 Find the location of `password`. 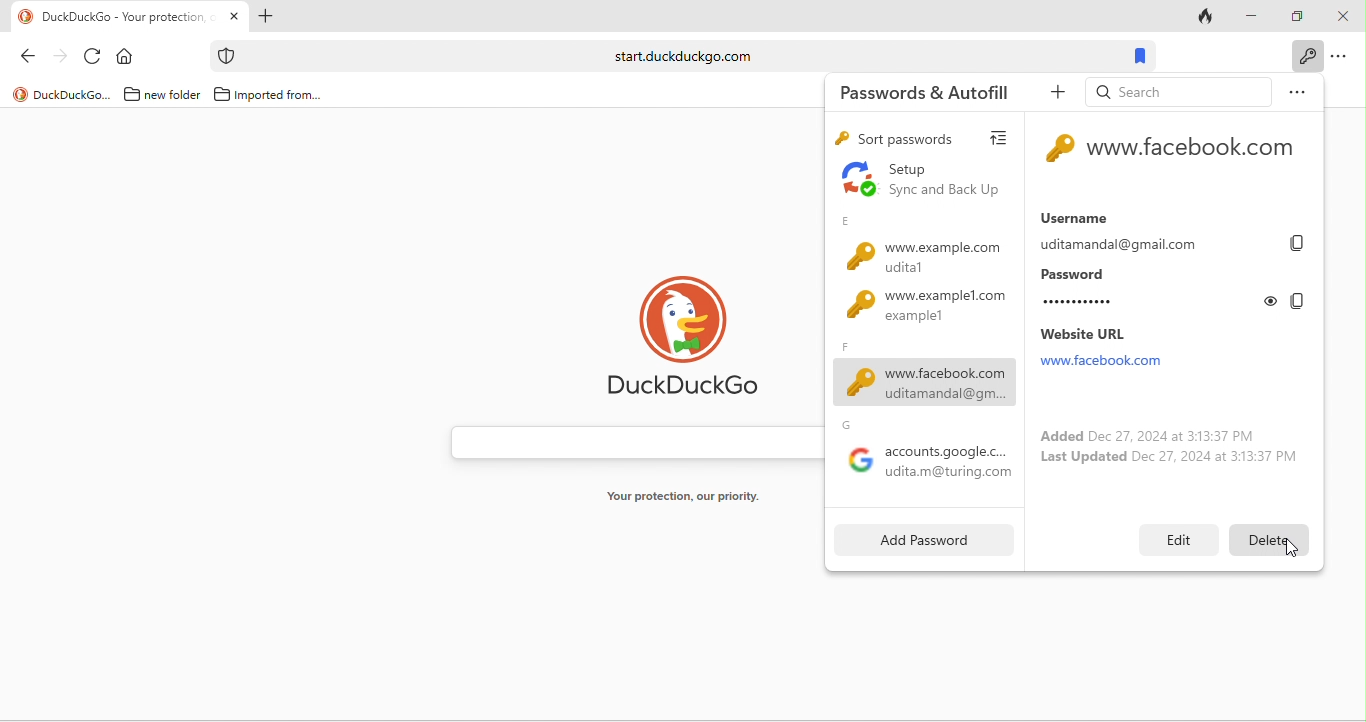

password is located at coordinates (1144, 290).